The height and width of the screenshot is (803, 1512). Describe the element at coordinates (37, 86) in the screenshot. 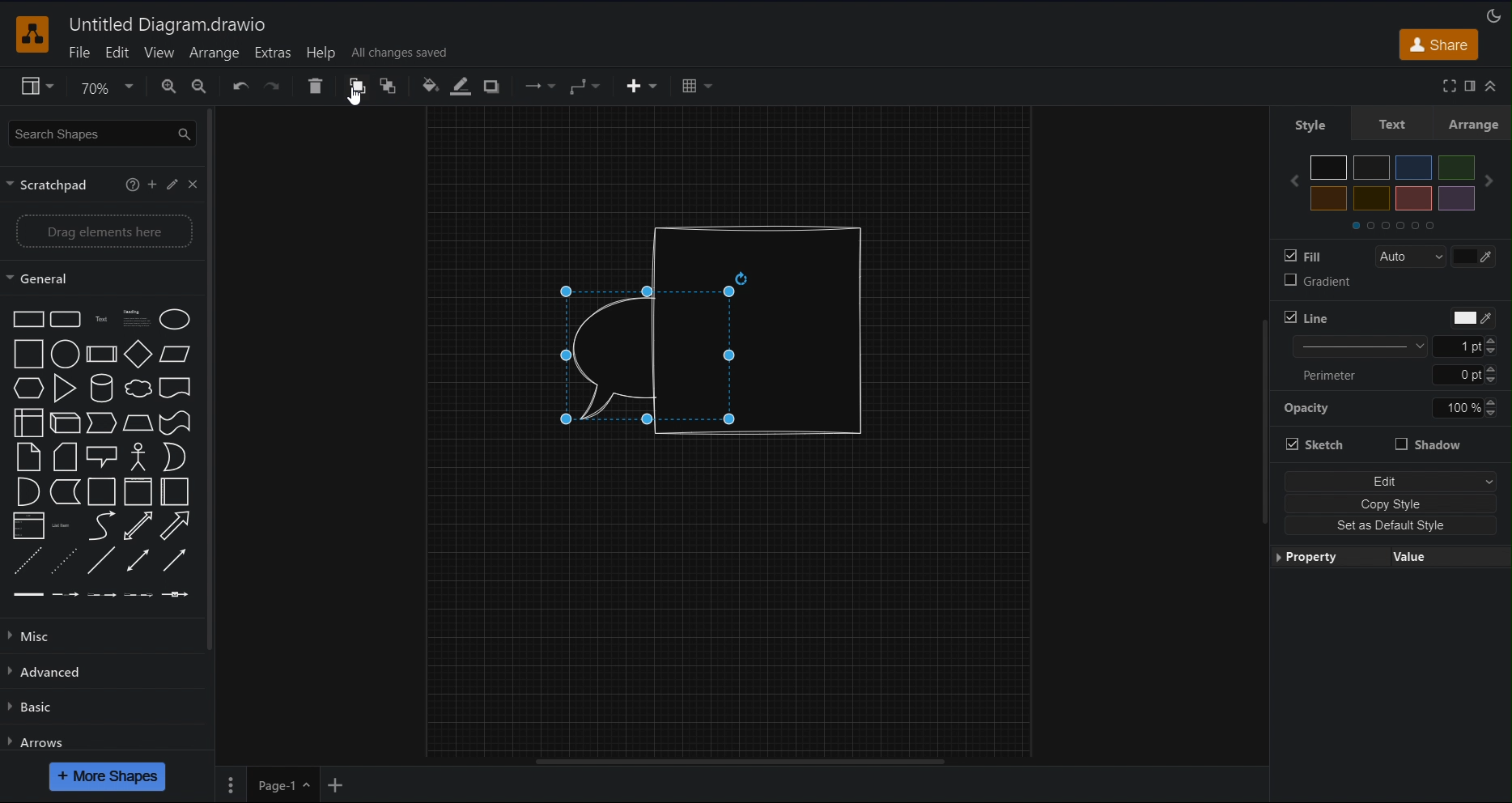

I see `View` at that location.